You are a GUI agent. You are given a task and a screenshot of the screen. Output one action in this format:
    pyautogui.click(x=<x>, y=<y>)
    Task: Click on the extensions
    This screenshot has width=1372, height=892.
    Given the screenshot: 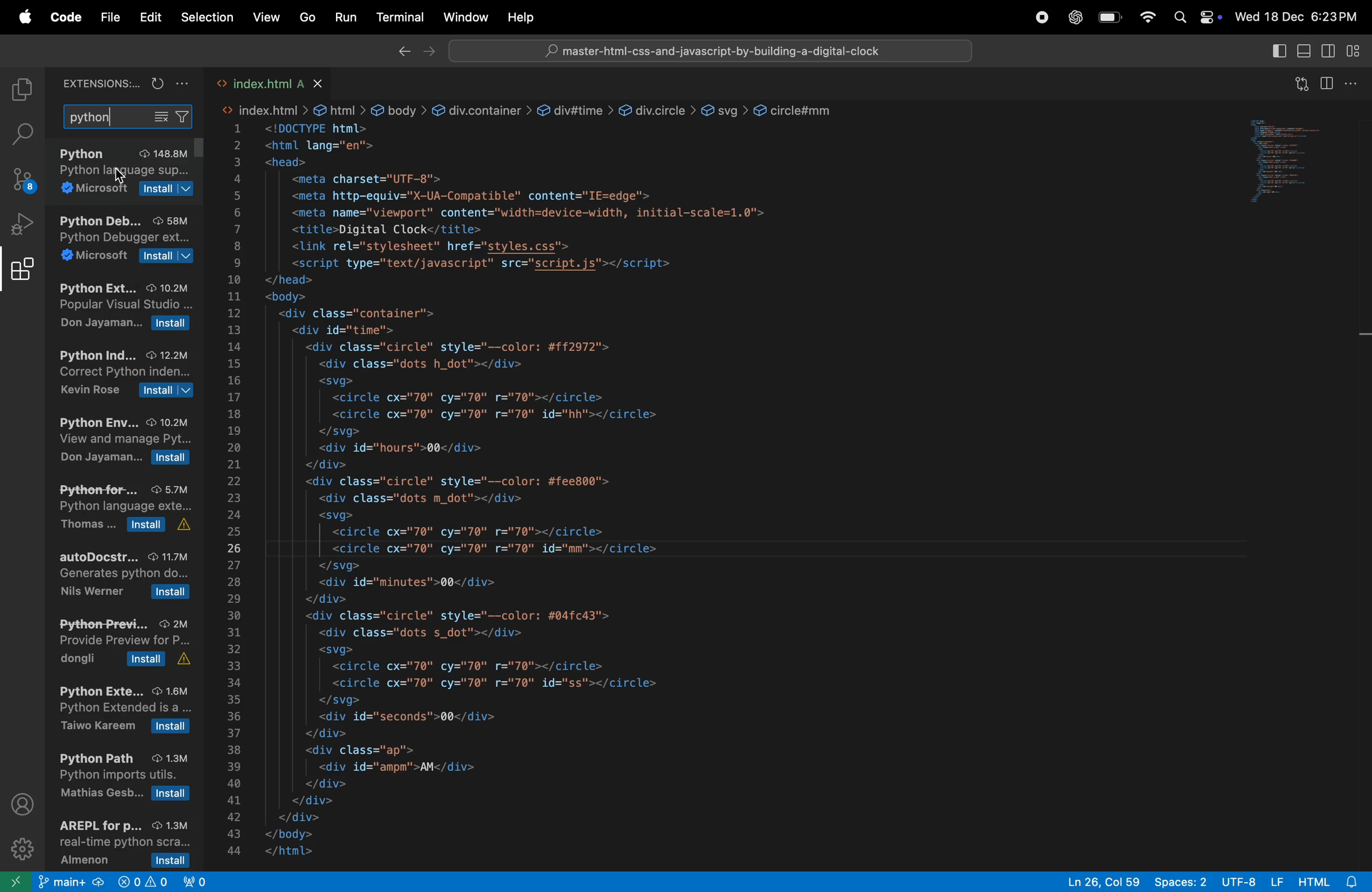 What is the action you would take?
    pyautogui.click(x=22, y=274)
    